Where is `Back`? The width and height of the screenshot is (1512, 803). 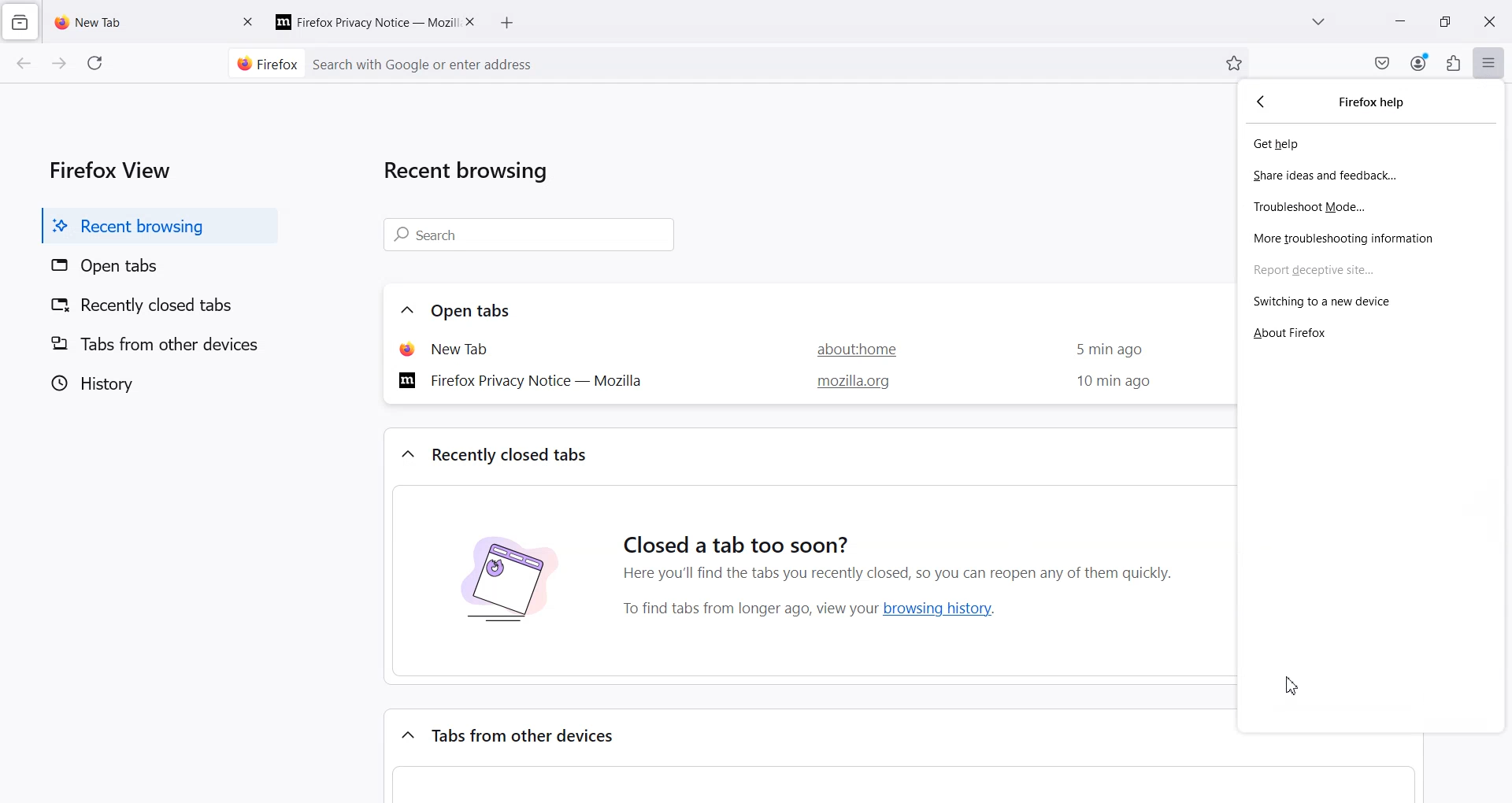
Back is located at coordinates (24, 65).